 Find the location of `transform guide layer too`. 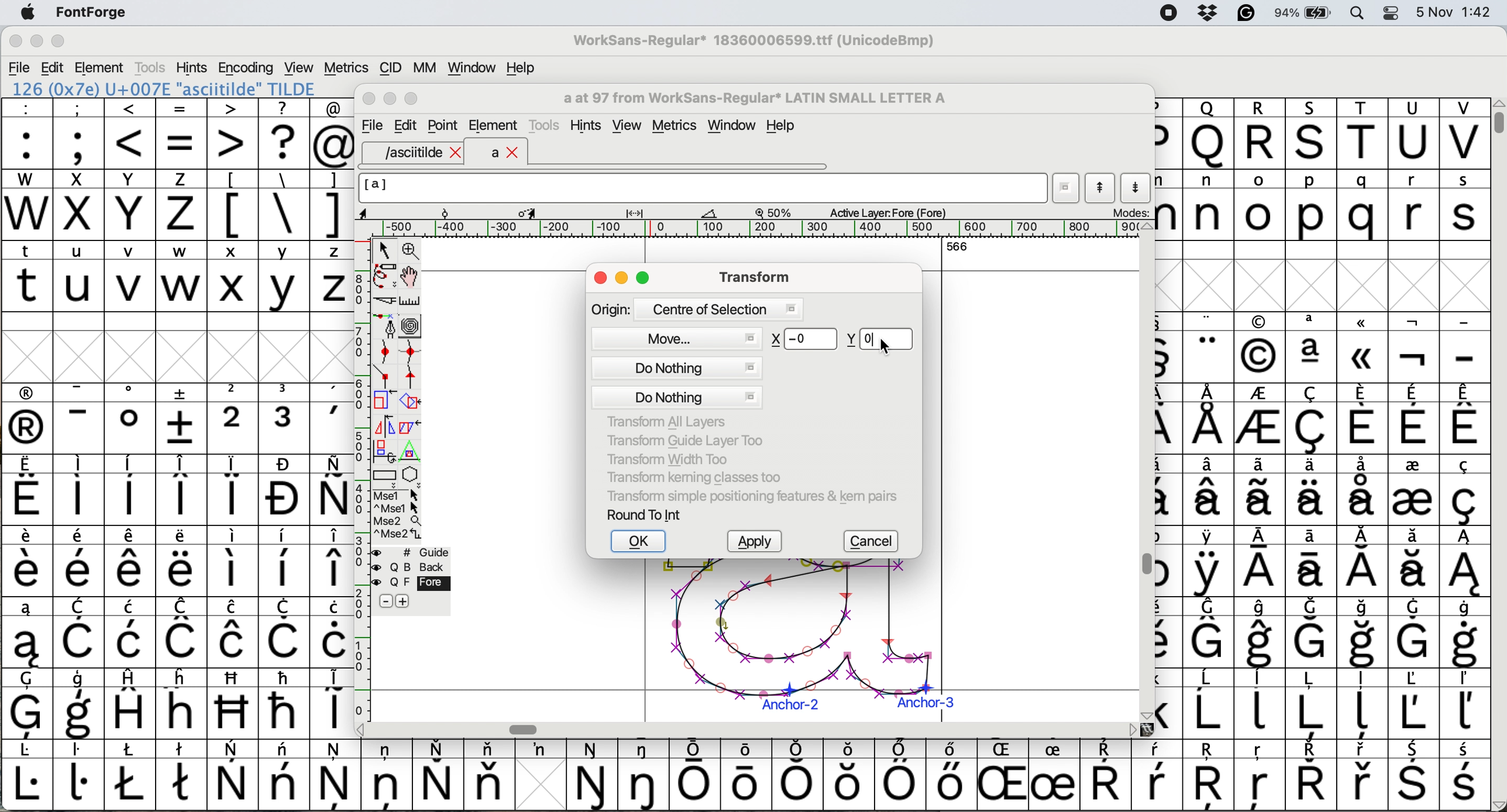

transform guide layer too is located at coordinates (680, 439).